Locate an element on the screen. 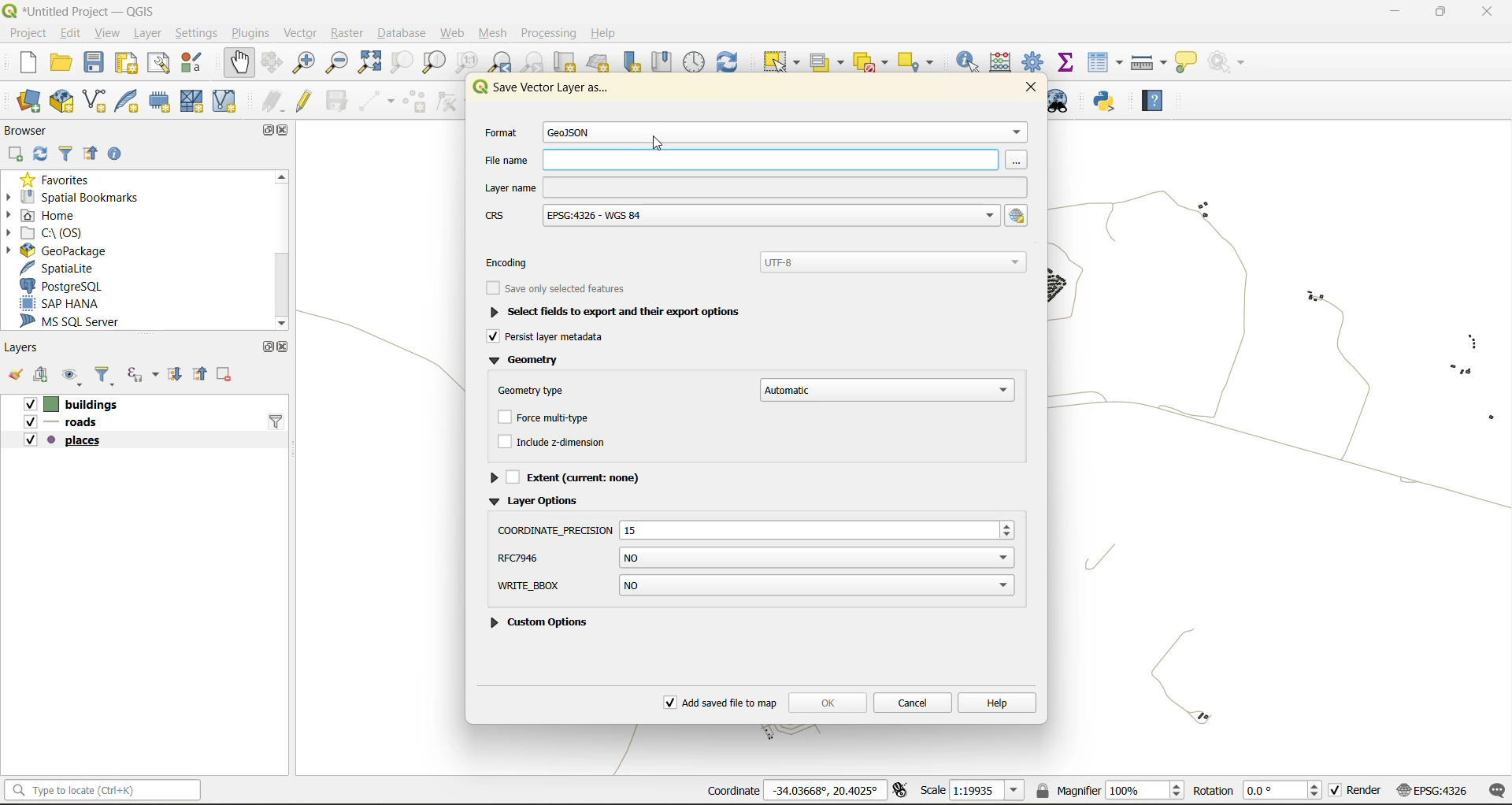 The width and height of the screenshot is (1512, 805). manage map is located at coordinates (70, 375).